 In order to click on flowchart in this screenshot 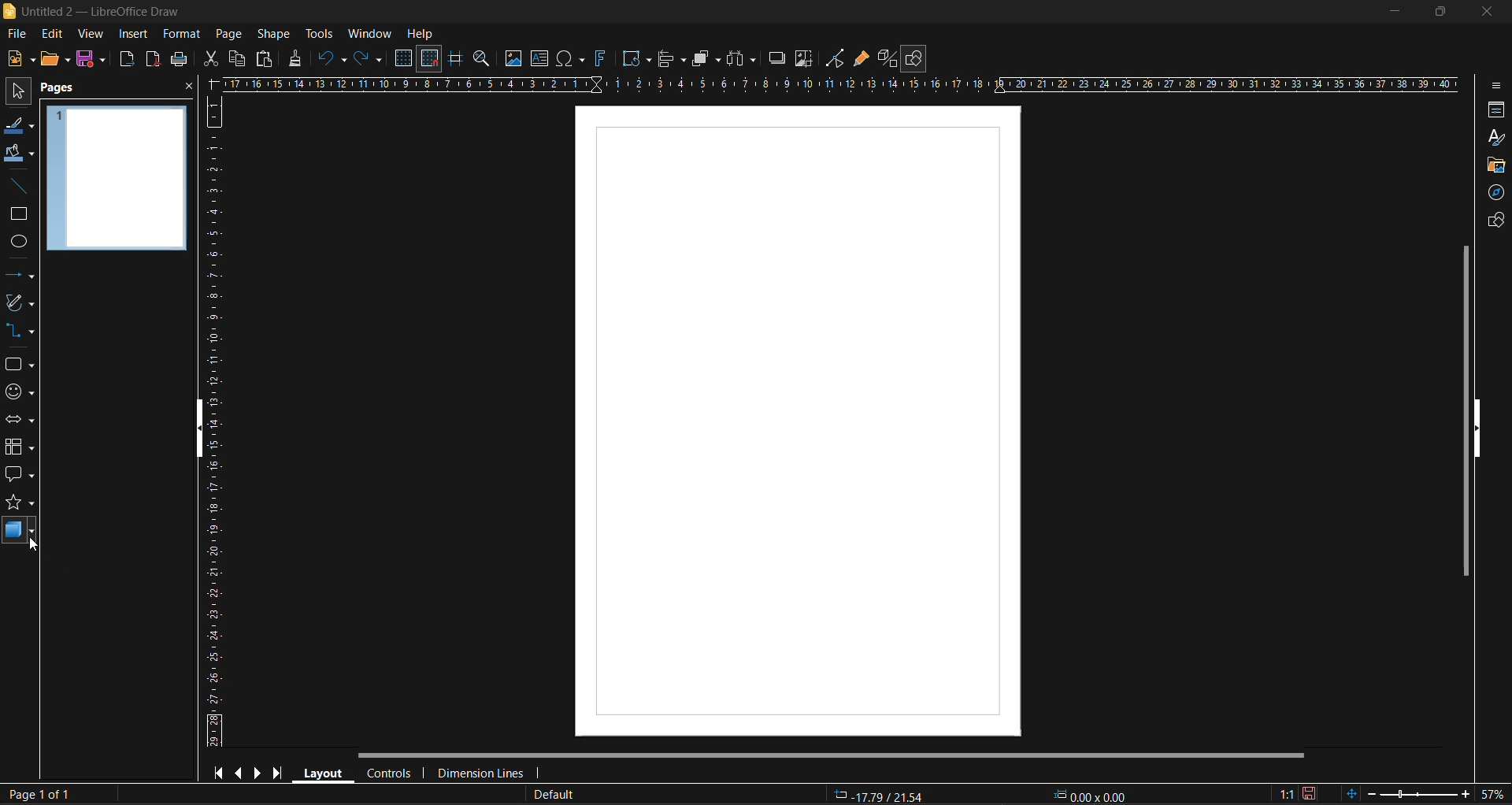, I will do `click(20, 447)`.